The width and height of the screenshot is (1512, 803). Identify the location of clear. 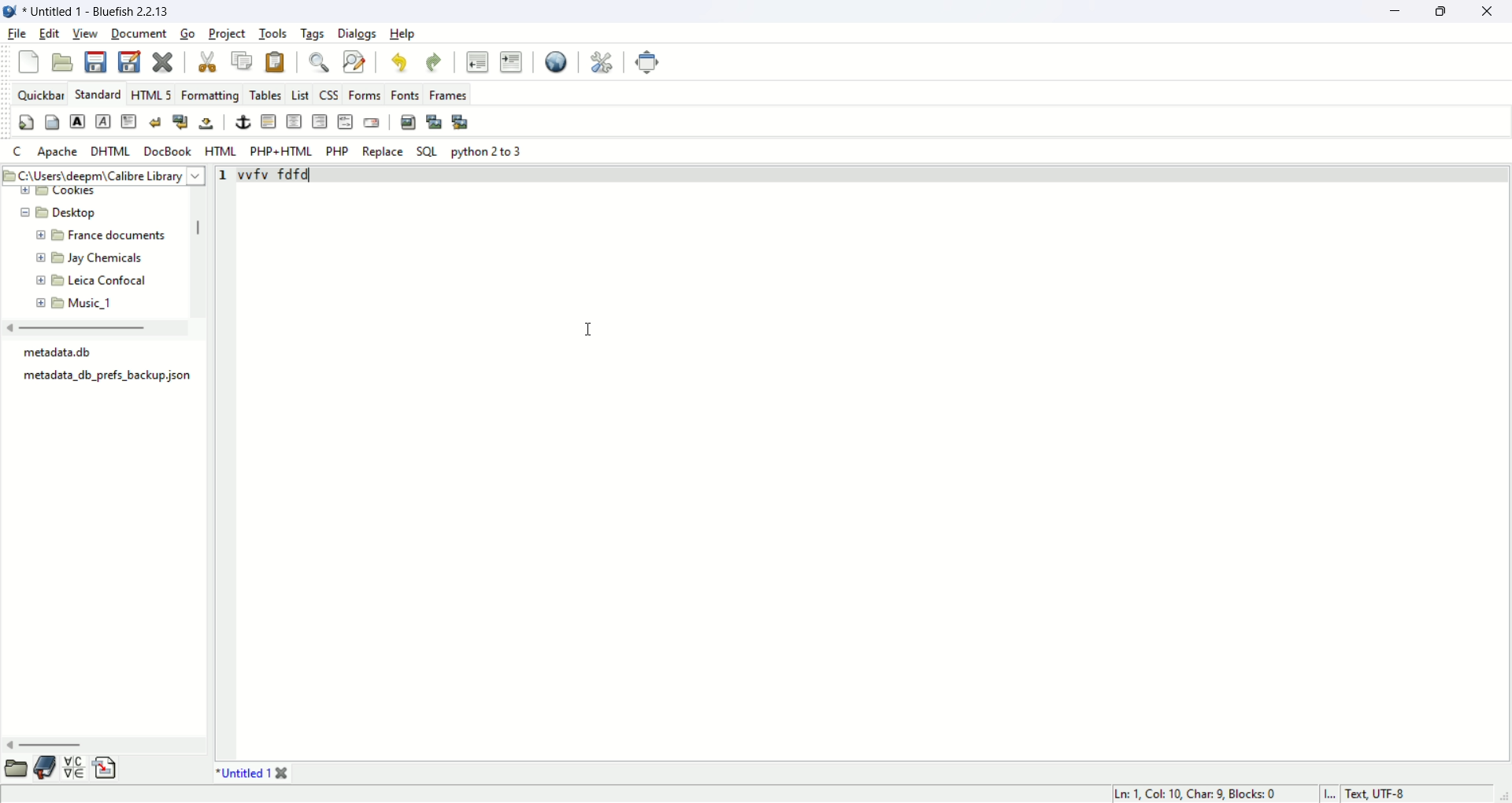
(154, 123).